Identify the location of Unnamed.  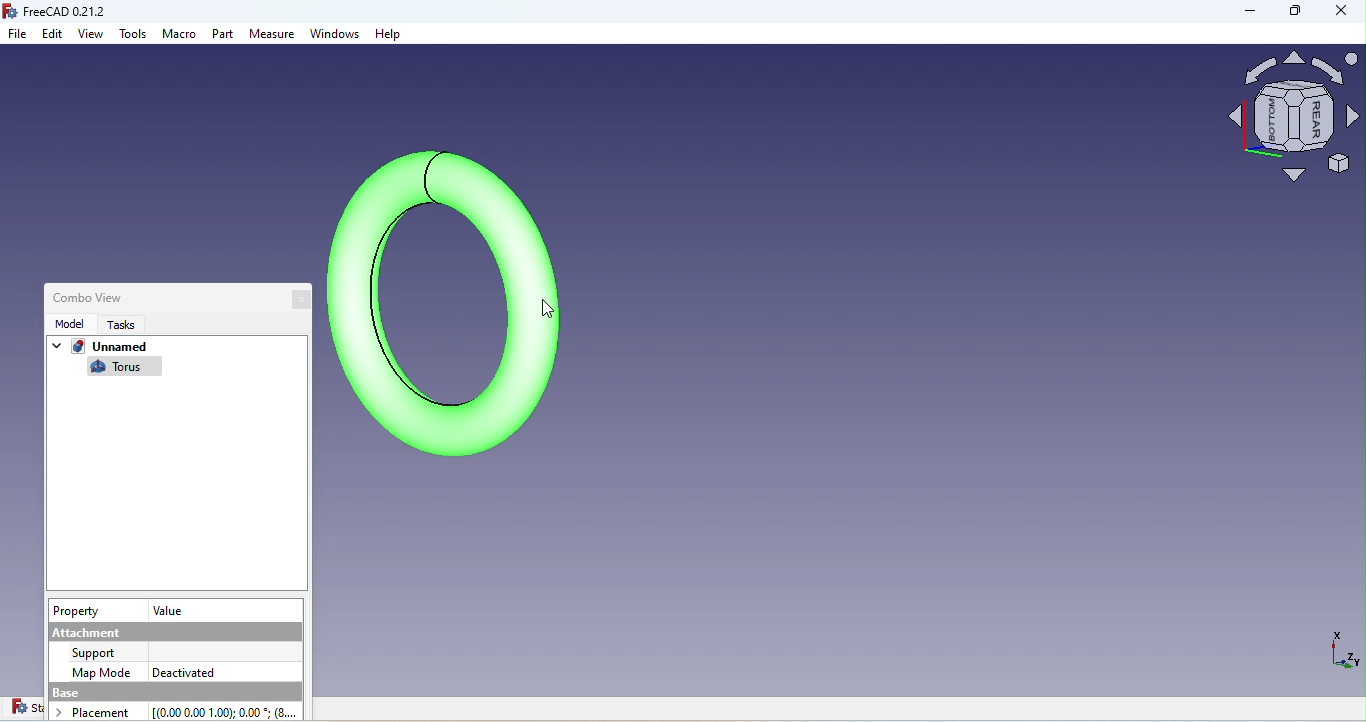
(99, 350).